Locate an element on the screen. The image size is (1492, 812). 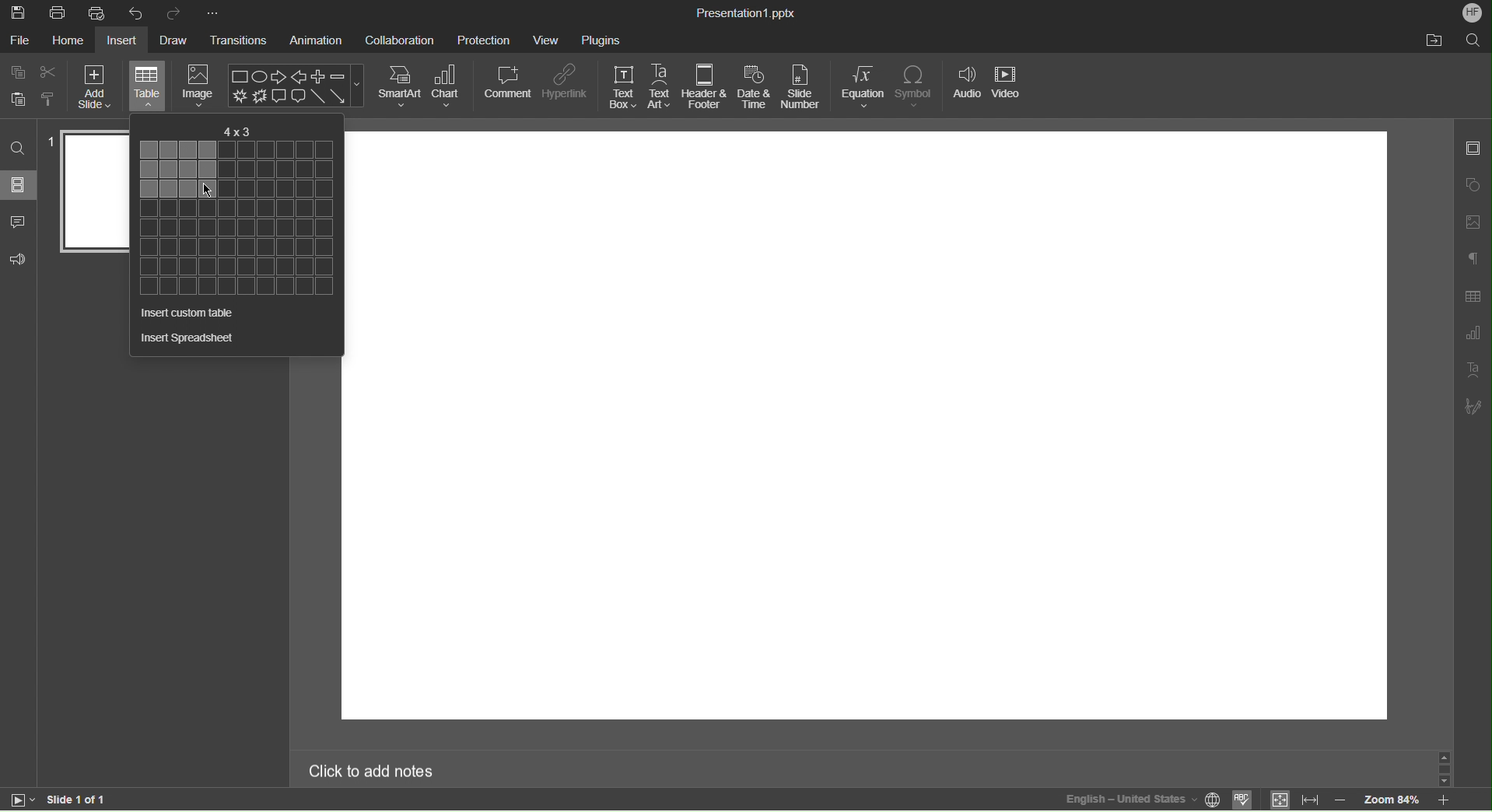
start slide show is located at coordinates (18, 799).